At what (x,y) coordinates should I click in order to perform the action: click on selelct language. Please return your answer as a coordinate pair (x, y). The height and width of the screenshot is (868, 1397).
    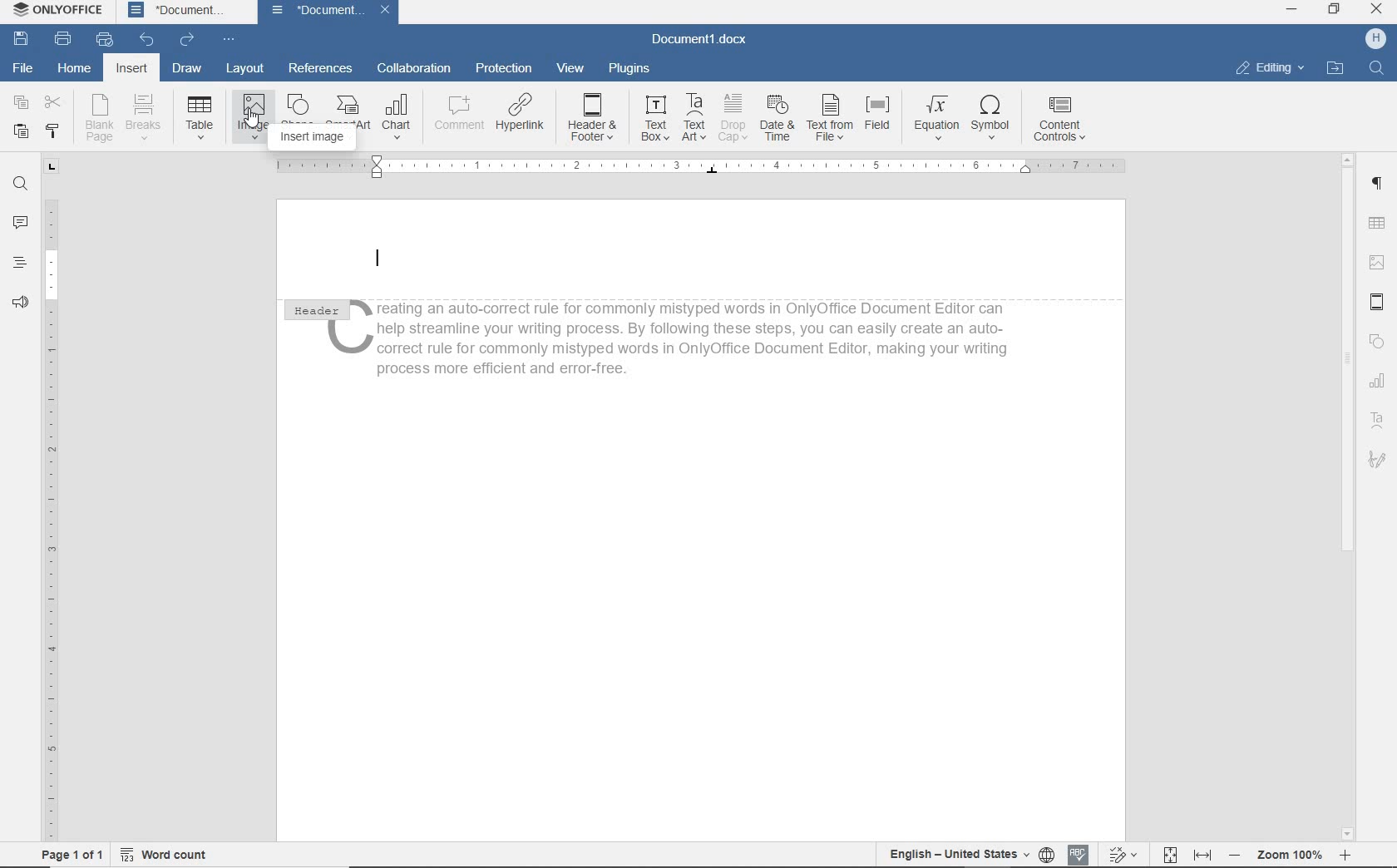
    Looking at the image, I should click on (1048, 855).